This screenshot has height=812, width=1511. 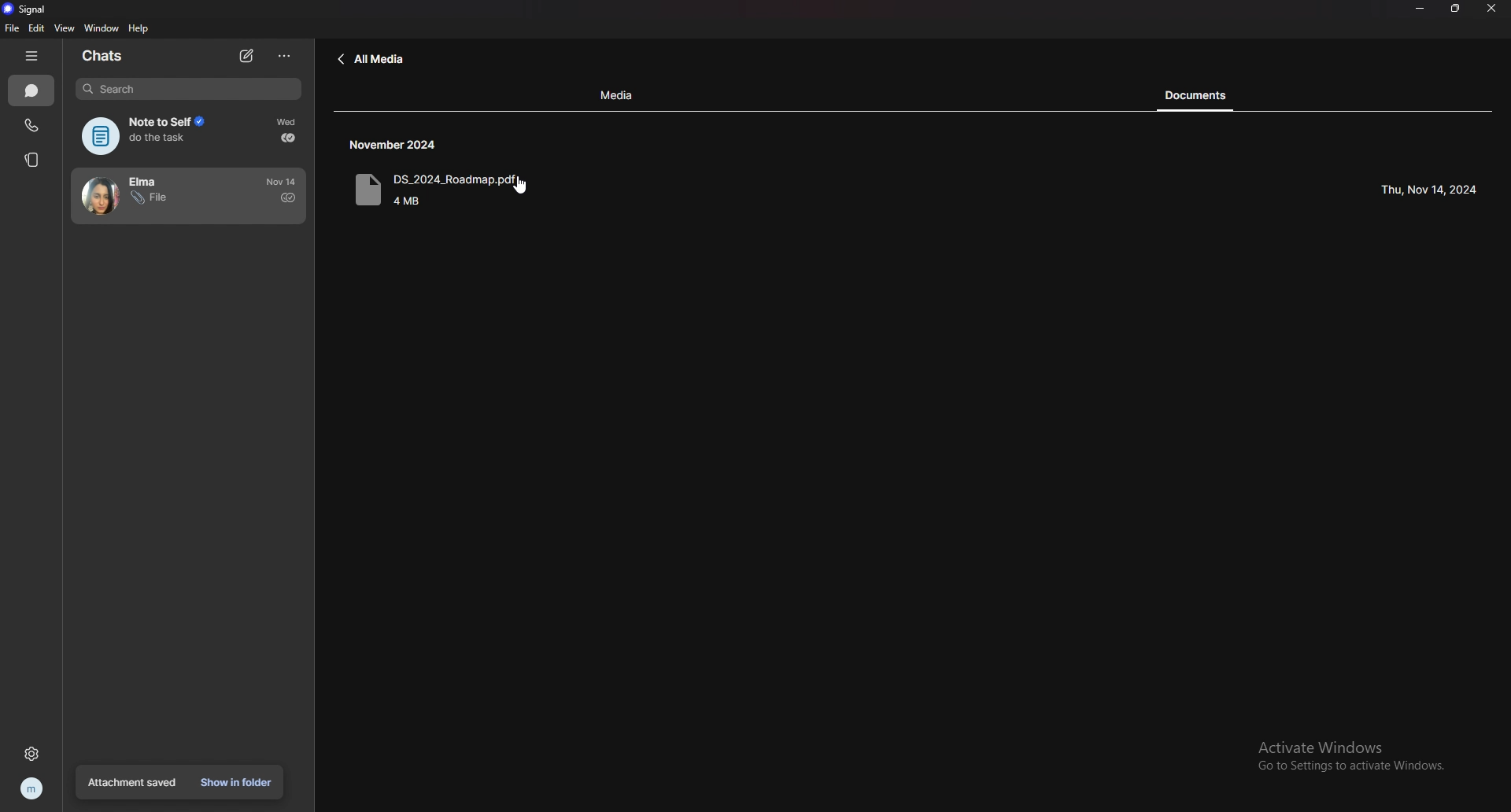 What do you see at coordinates (153, 136) in the screenshot?
I see `note to self` at bounding box center [153, 136].